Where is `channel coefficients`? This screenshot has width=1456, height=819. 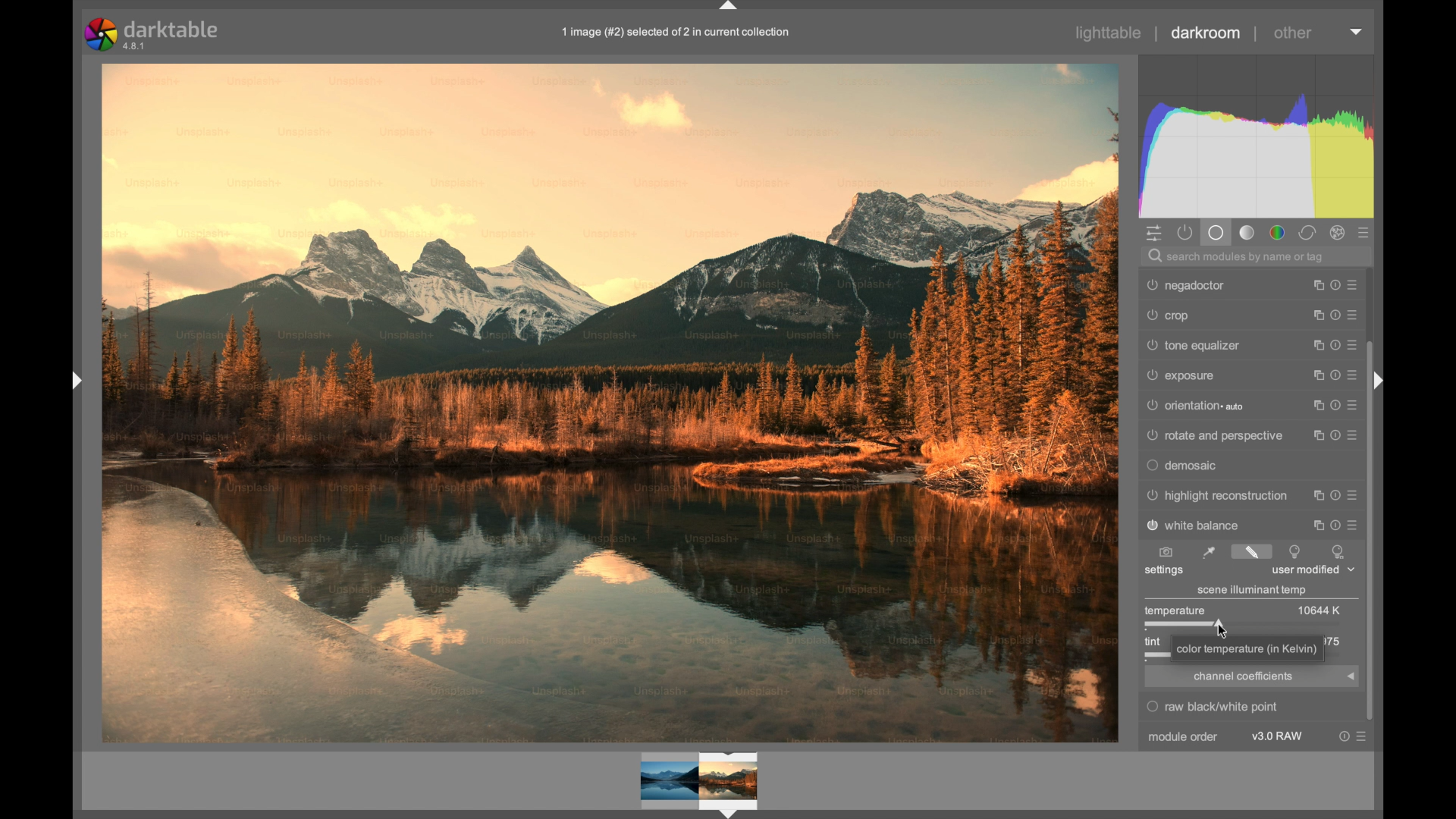
channel coefficients is located at coordinates (1244, 676).